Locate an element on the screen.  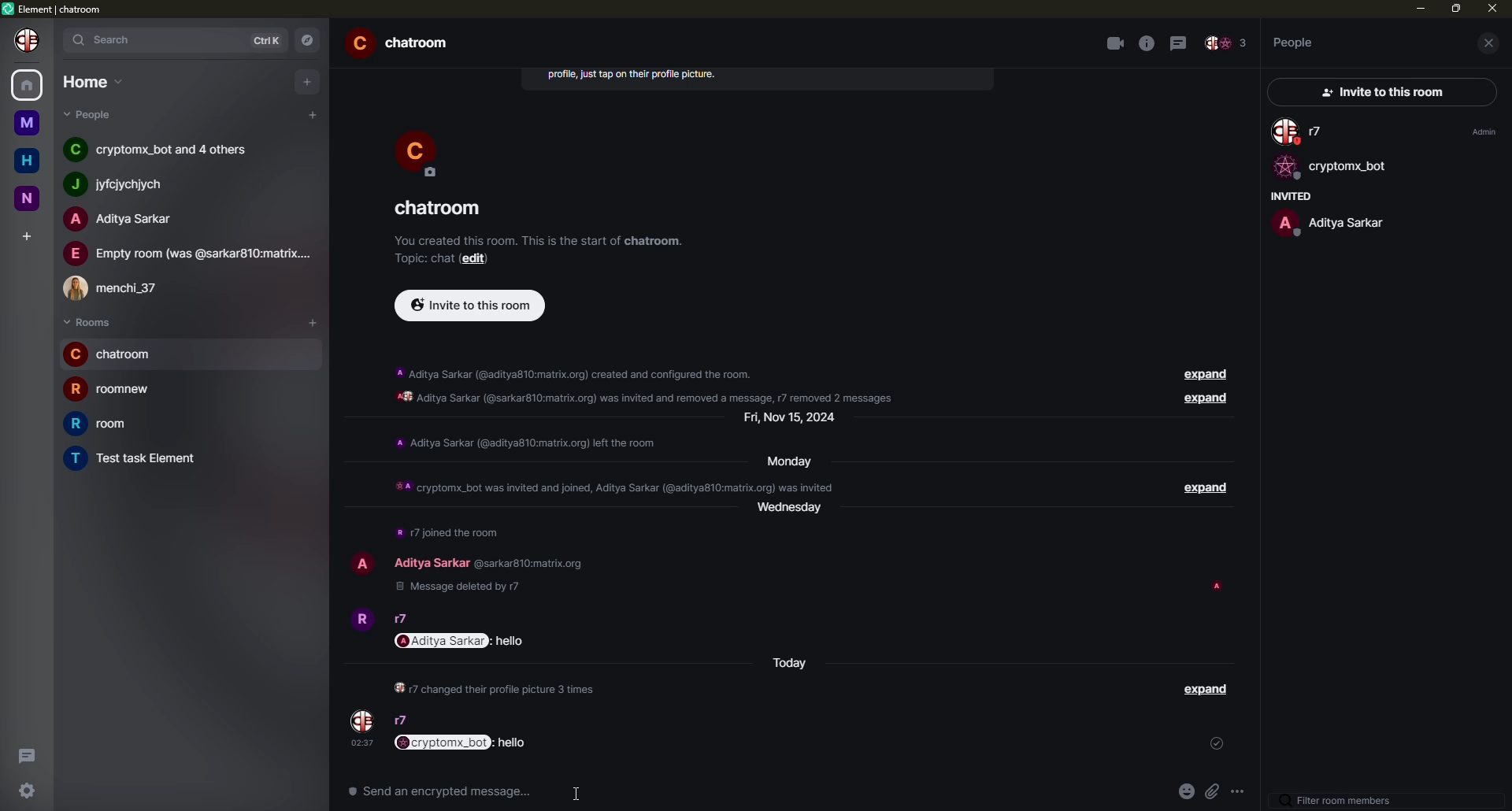
room is located at coordinates (111, 424).